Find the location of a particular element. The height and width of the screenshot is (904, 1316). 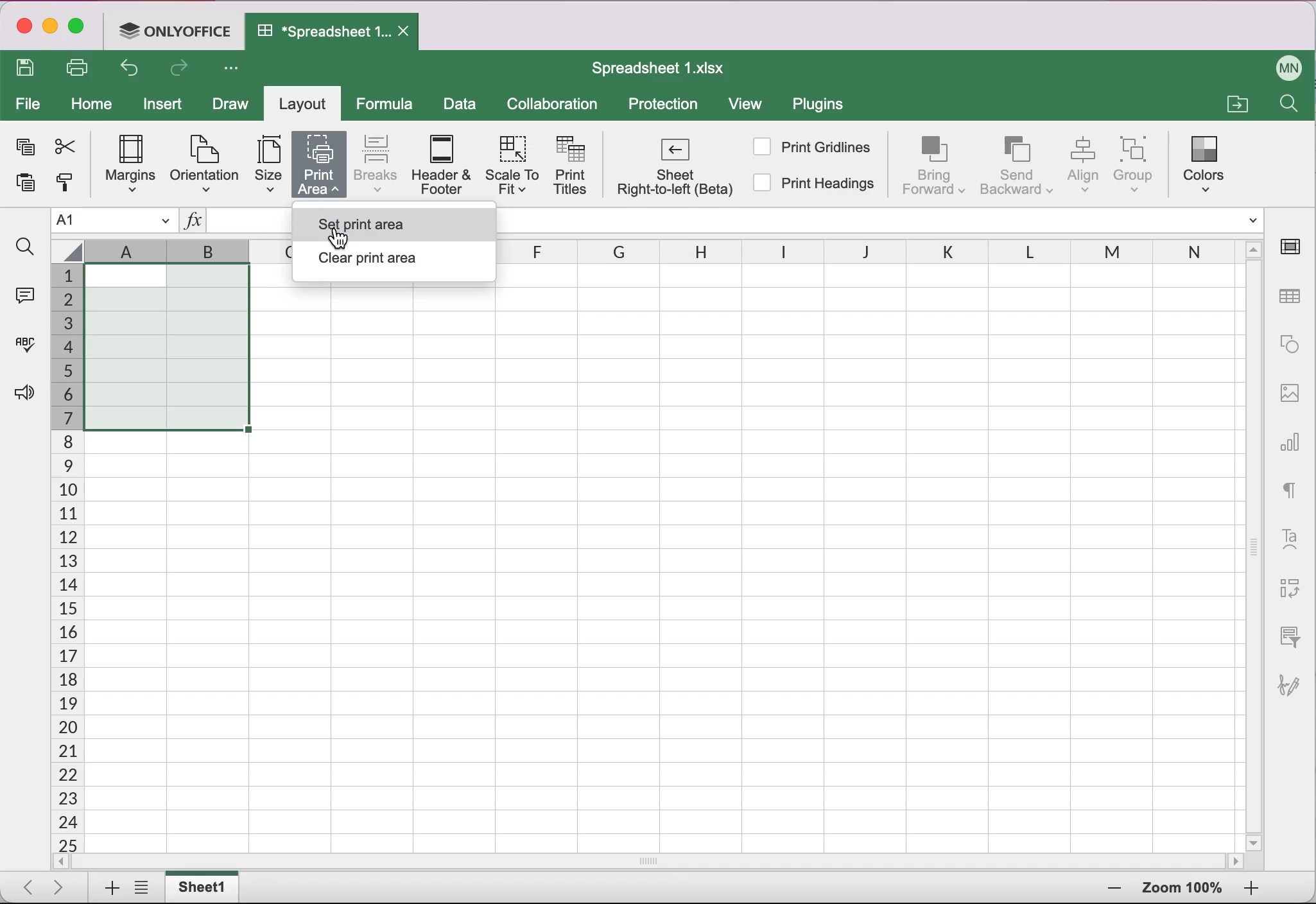

insert is located at coordinates (166, 107).